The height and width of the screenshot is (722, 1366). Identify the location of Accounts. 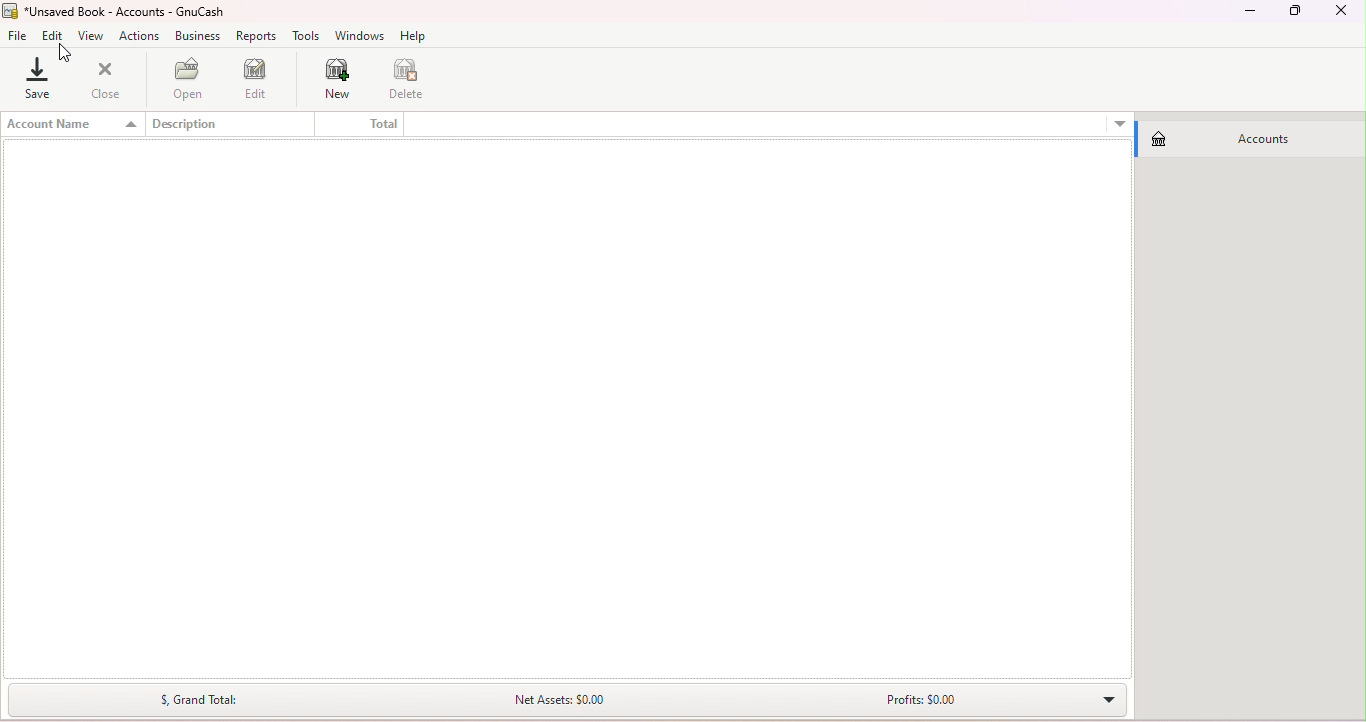
(1245, 136).